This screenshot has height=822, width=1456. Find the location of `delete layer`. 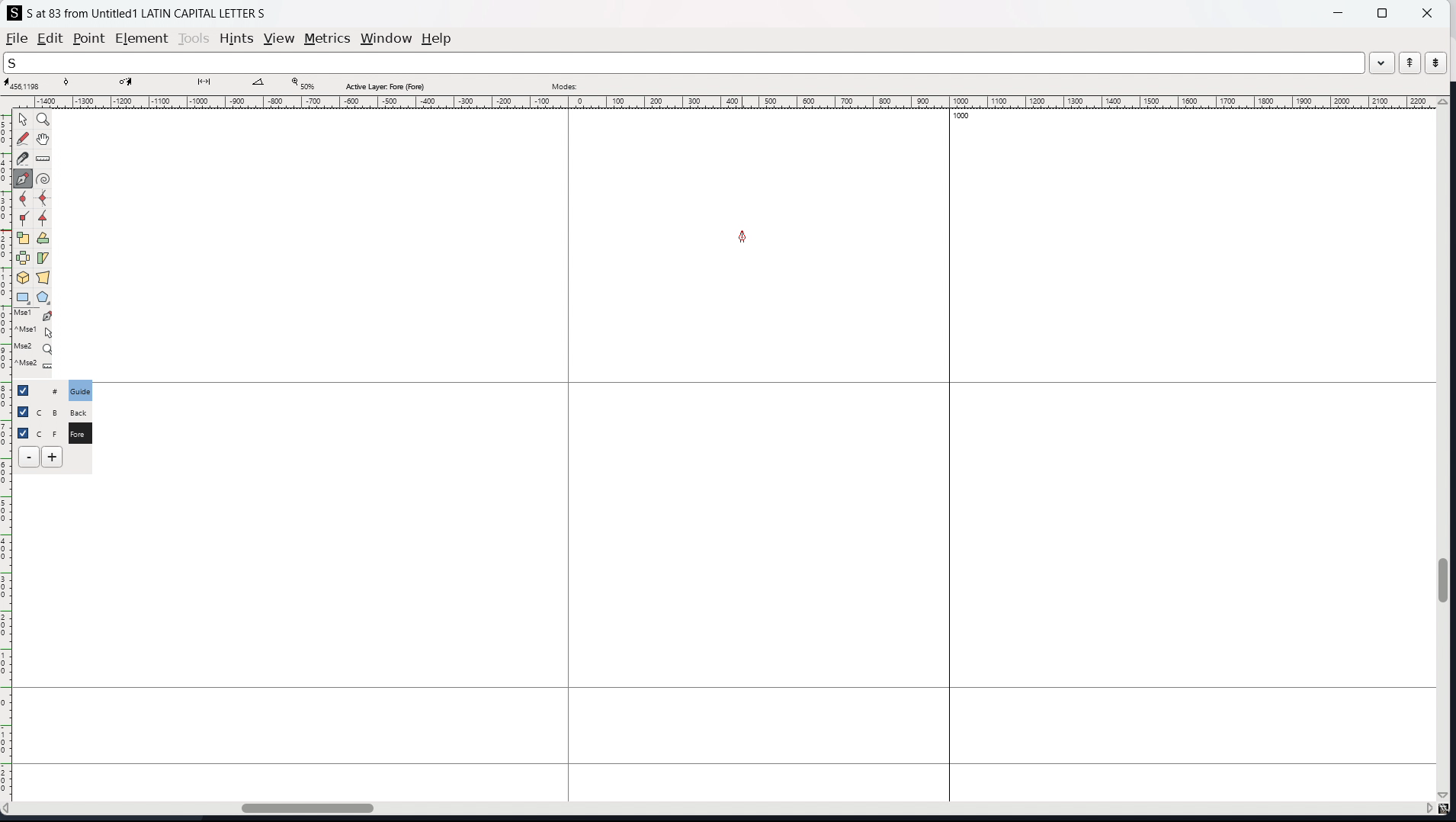

delete layer is located at coordinates (29, 458).